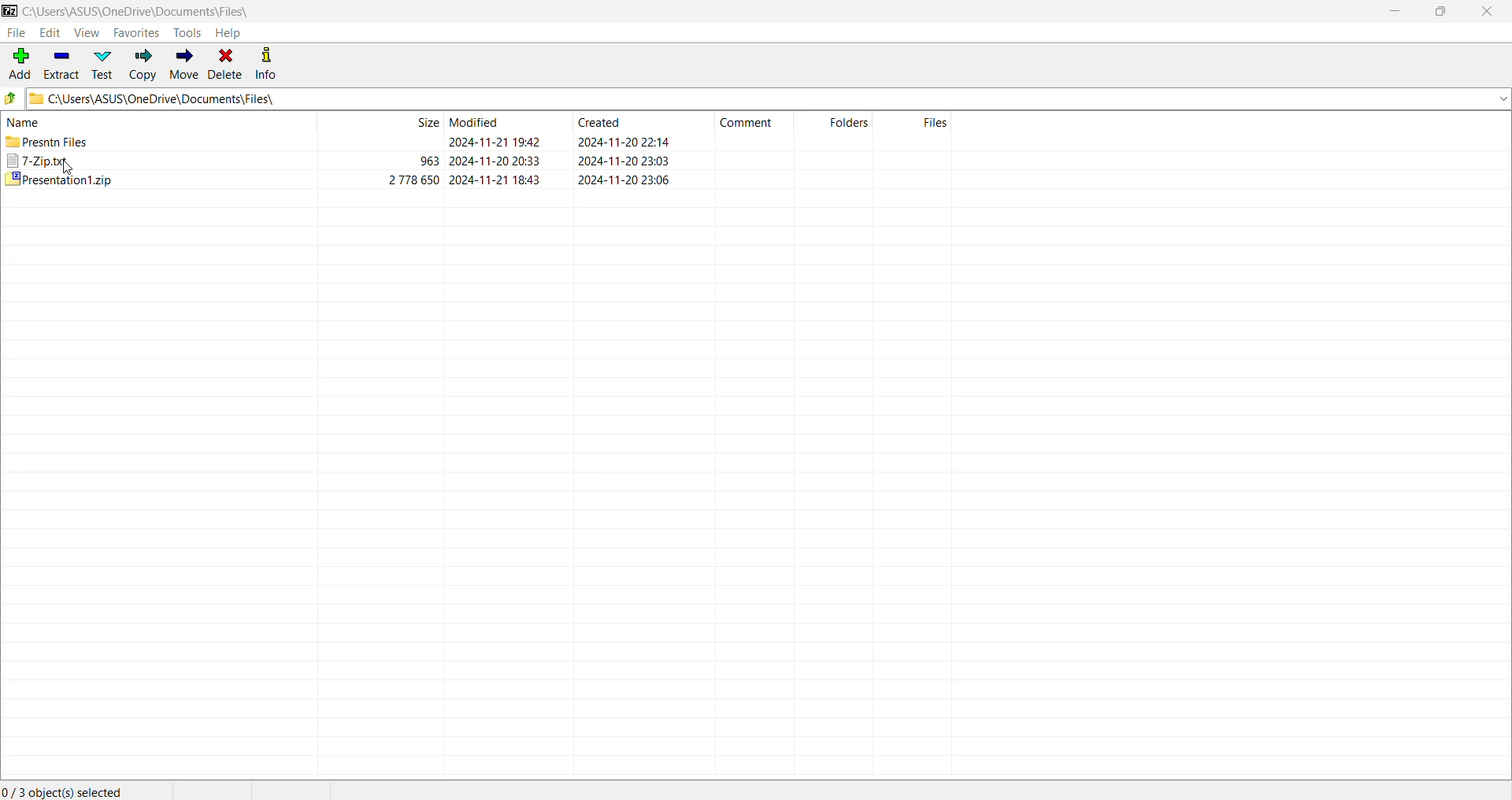 The width and height of the screenshot is (1512, 800). I want to click on presntn files, so click(47, 141).